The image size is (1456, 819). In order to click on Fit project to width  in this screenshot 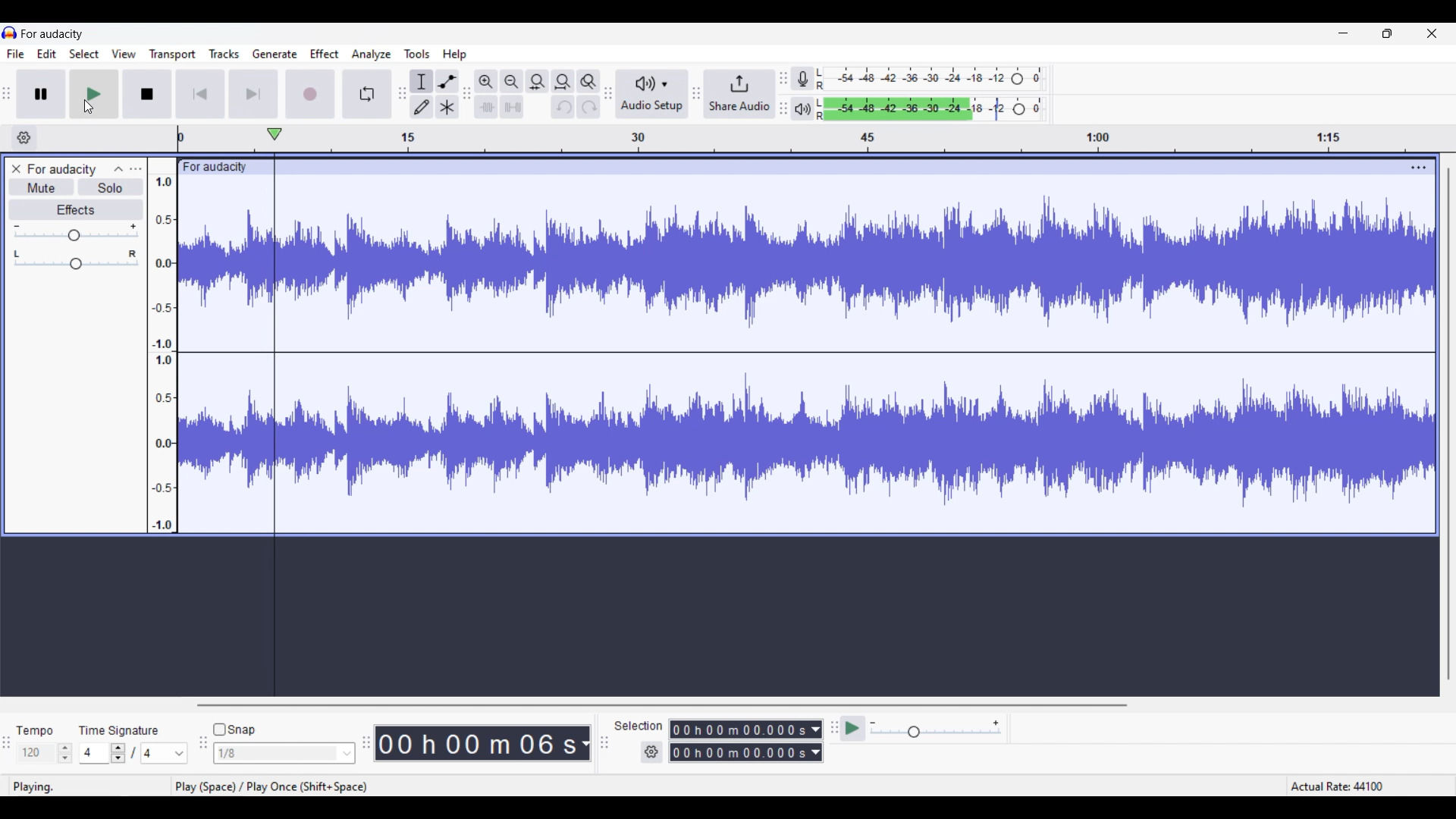, I will do `click(563, 82)`.